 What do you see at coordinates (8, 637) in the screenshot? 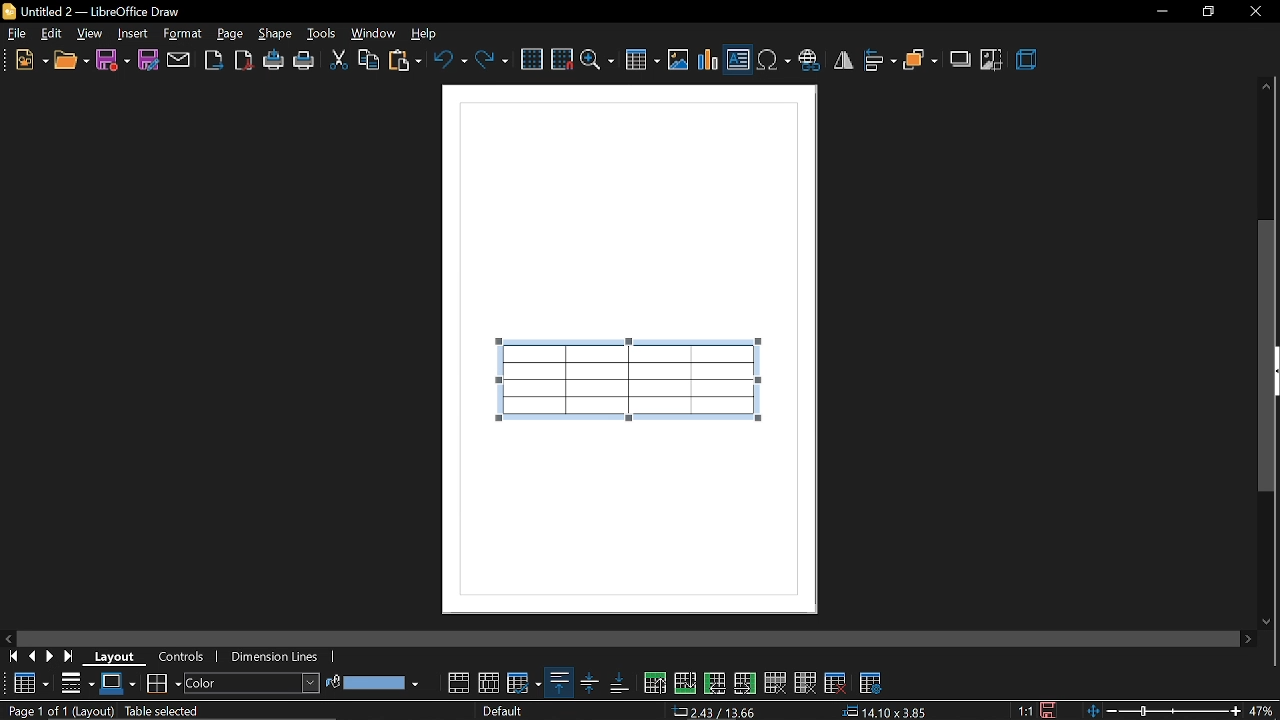
I see `move left` at bounding box center [8, 637].